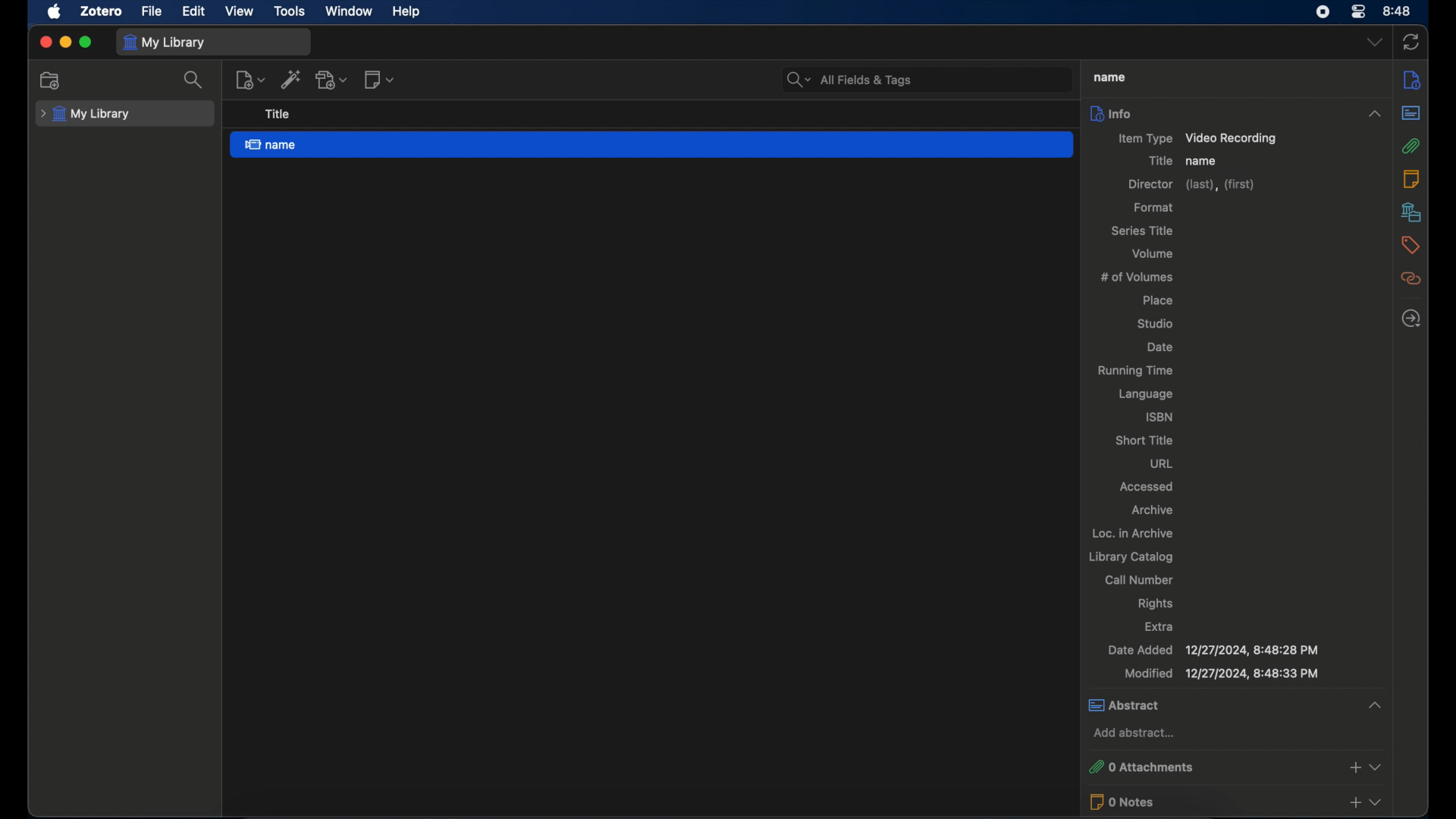 The width and height of the screenshot is (1456, 819). Describe the element at coordinates (1148, 486) in the screenshot. I see `accessed` at that location.